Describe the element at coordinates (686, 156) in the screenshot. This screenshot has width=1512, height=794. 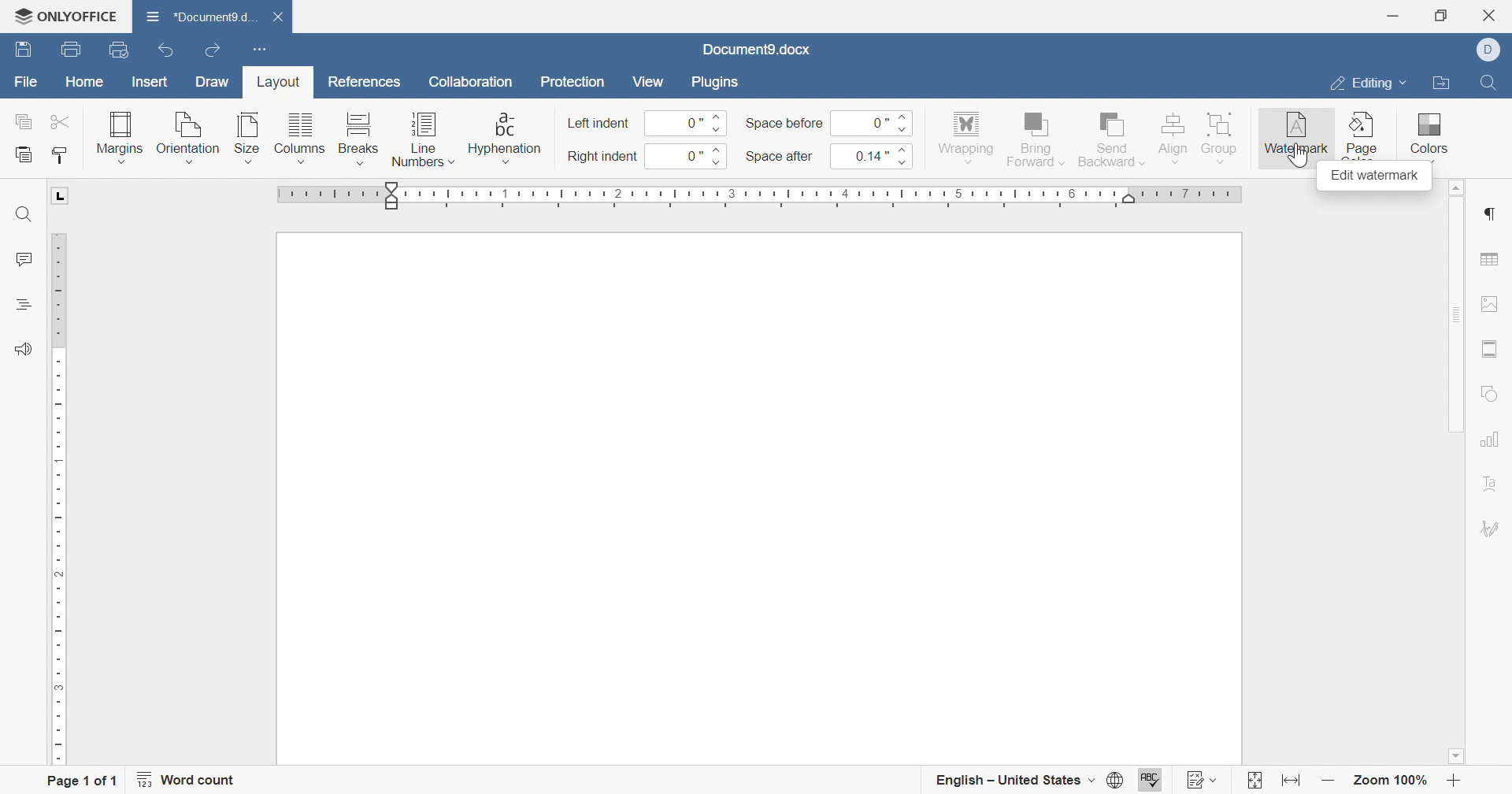
I see `0` at that location.